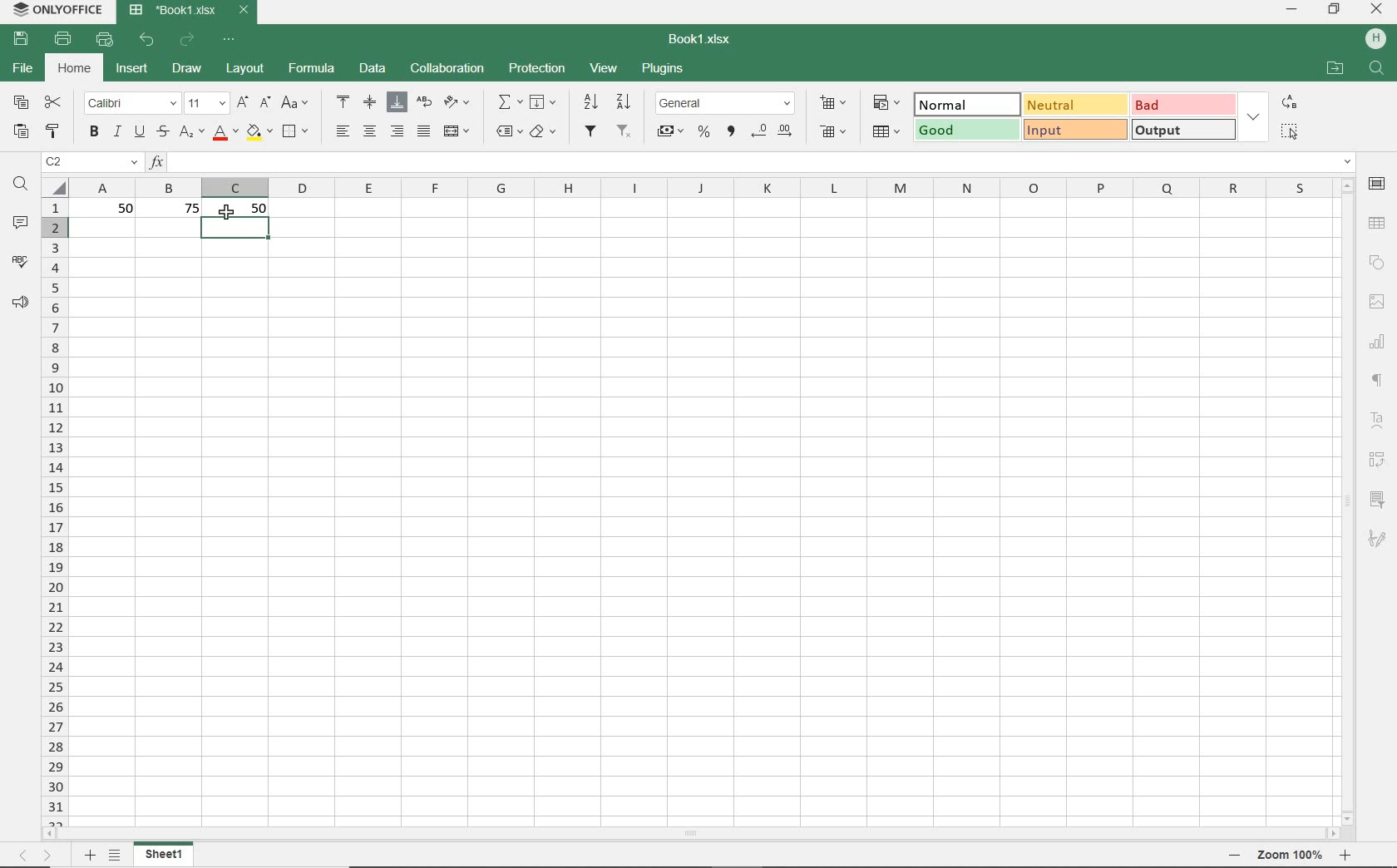 Image resolution: width=1397 pixels, height=868 pixels. Describe the element at coordinates (603, 67) in the screenshot. I see `view` at that location.